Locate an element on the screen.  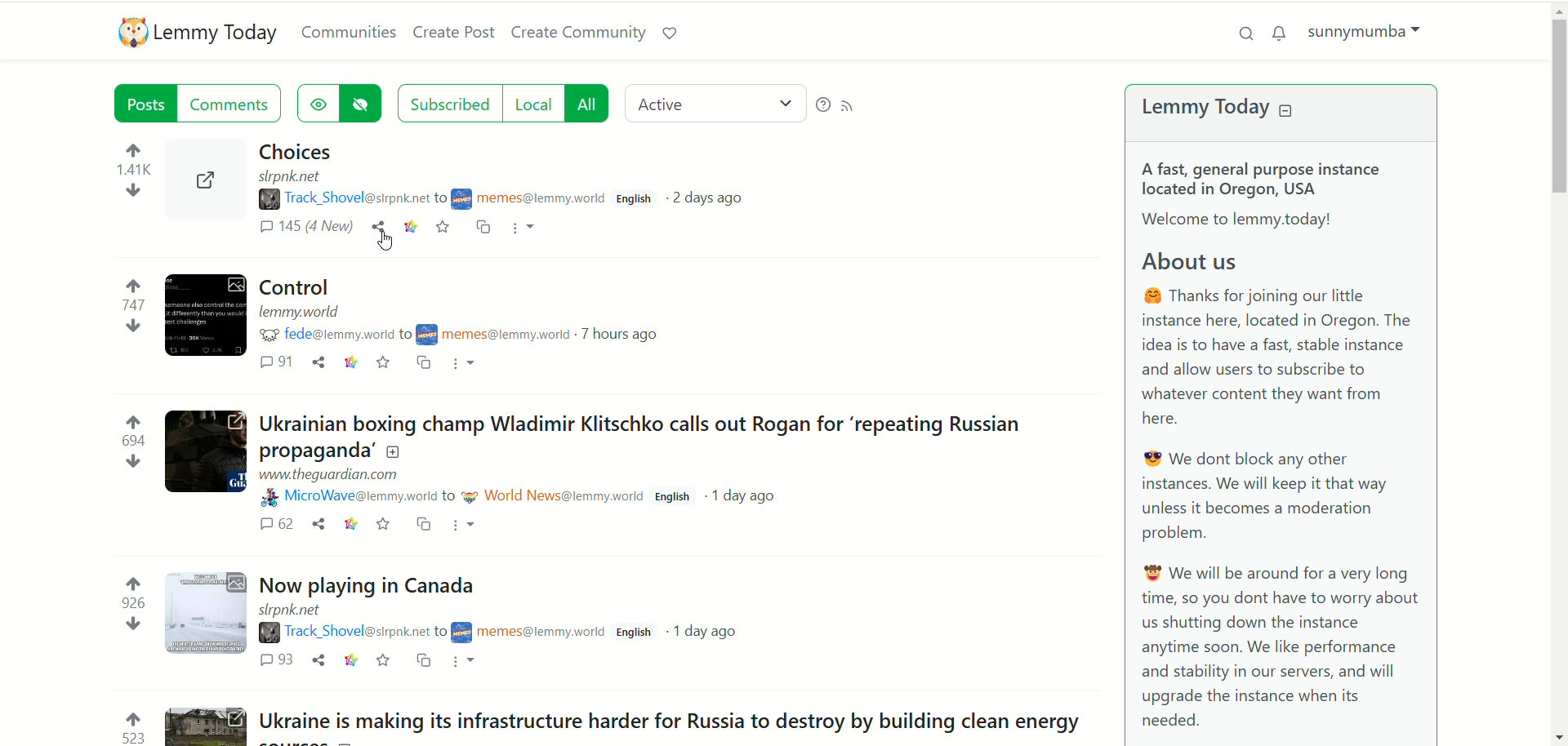
english is located at coordinates (632, 633).